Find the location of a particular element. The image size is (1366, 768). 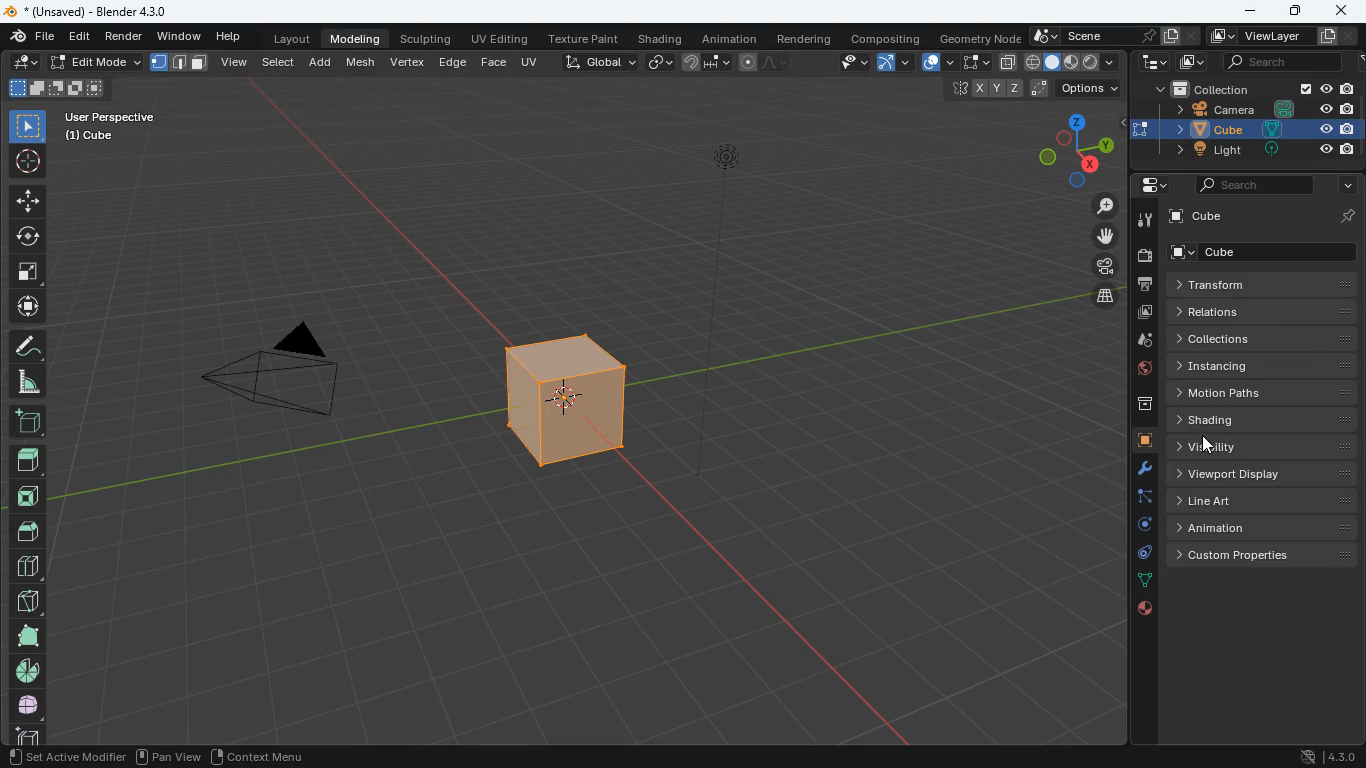

layout is located at coordinates (1072, 64).